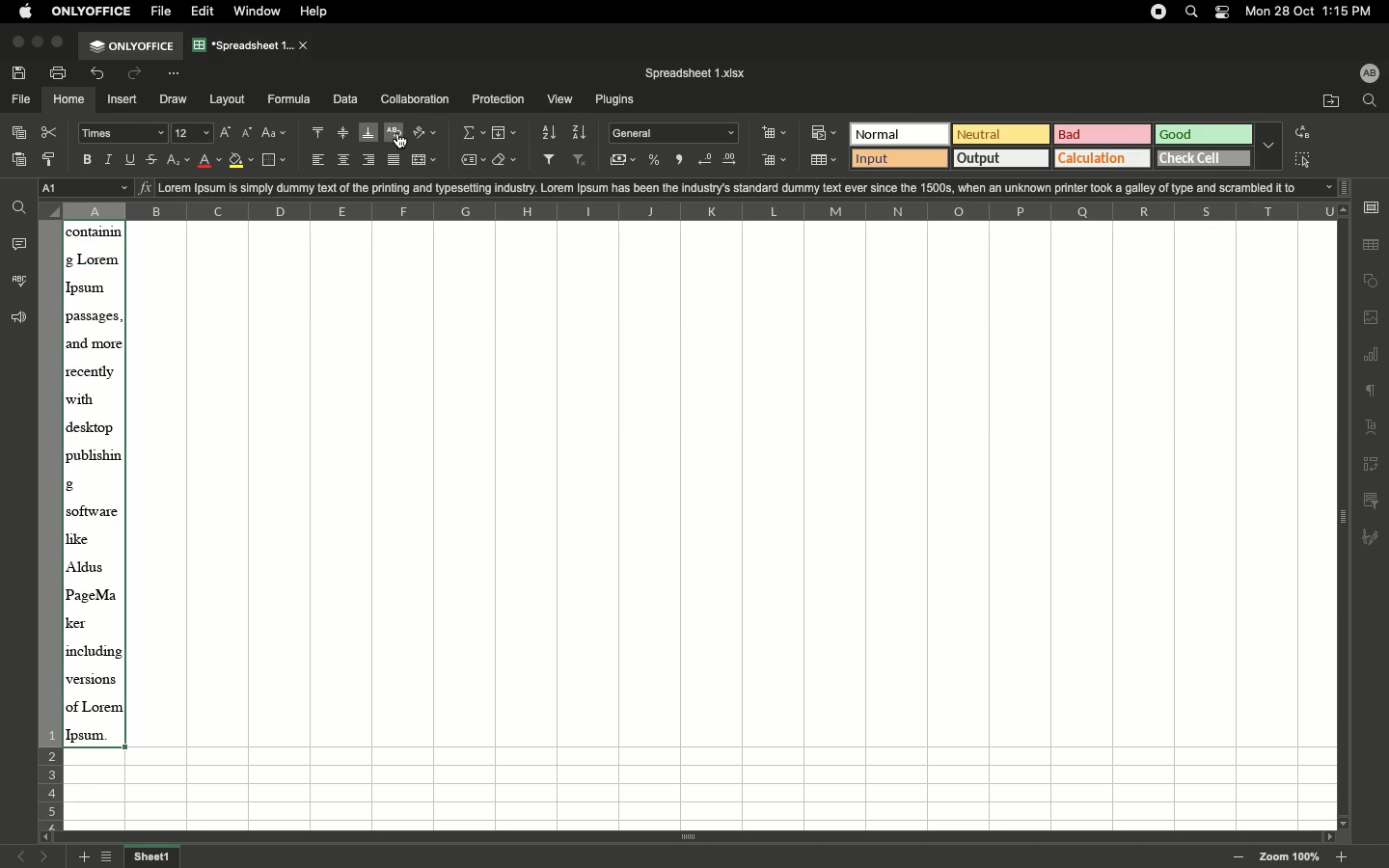 This screenshot has width=1389, height=868. Describe the element at coordinates (174, 100) in the screenshot. I see `Draw` at that location.